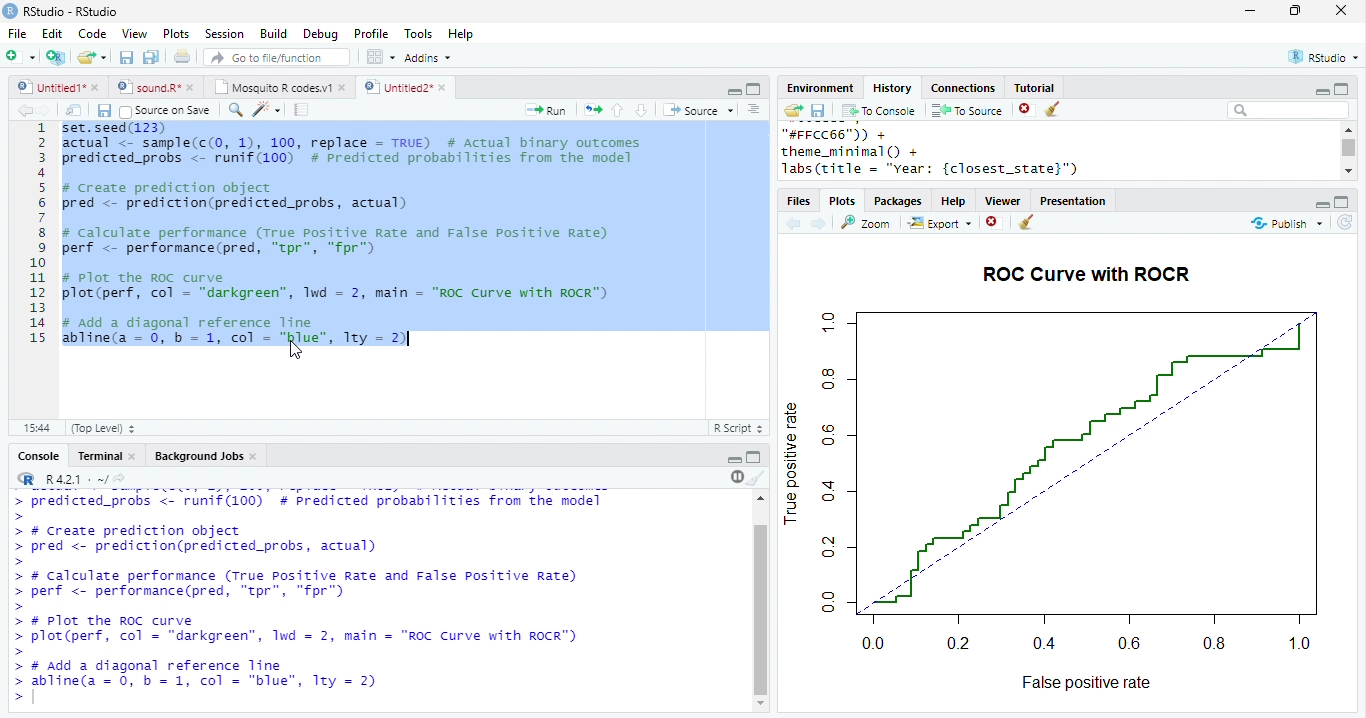 This screenshot has height=718, width=1366. I want to click on maximize, so click(754, 456).